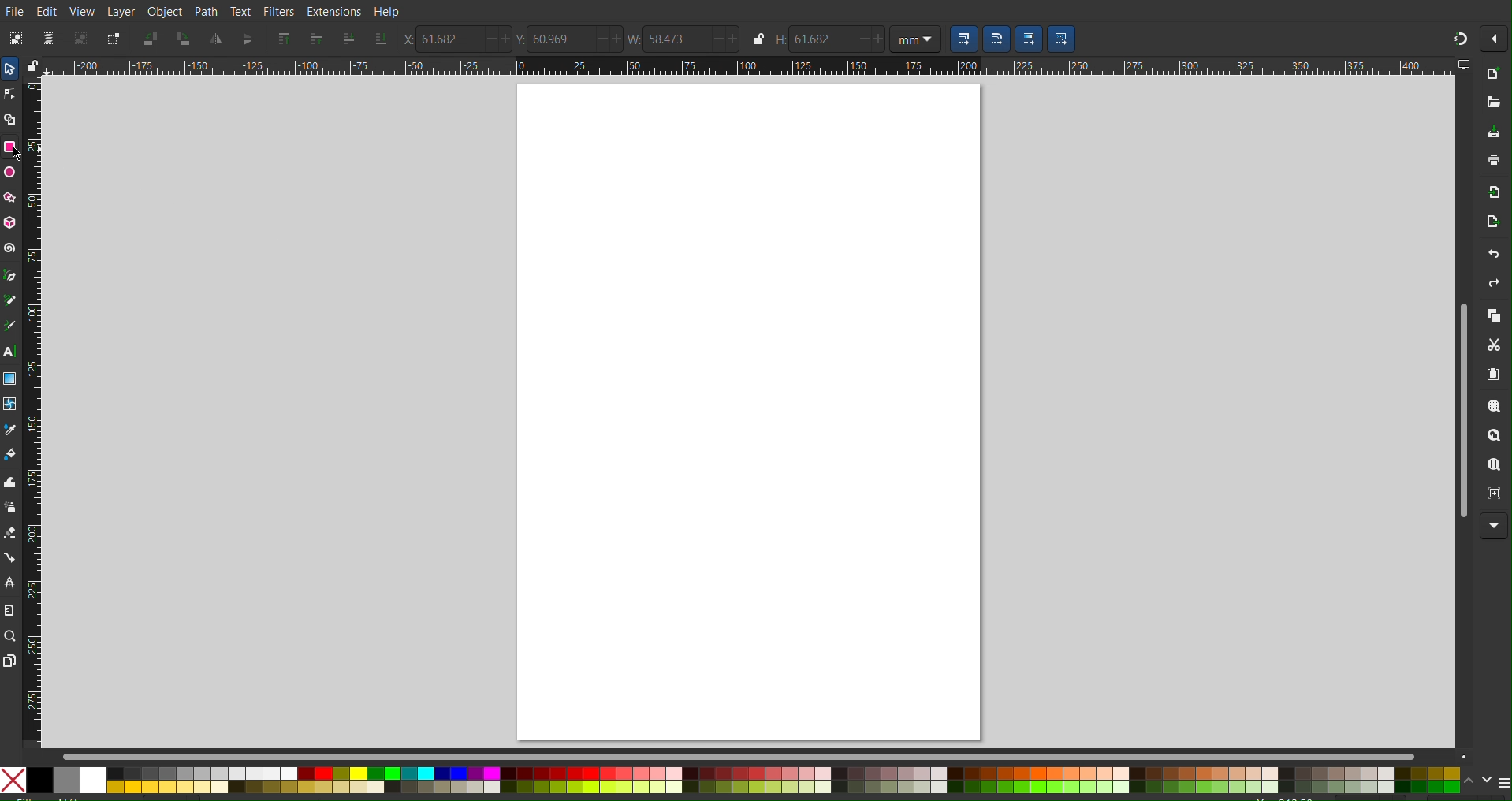 This screenshot has width=1512, height=801. I want to click on Scrollbar, so click(757, 754).